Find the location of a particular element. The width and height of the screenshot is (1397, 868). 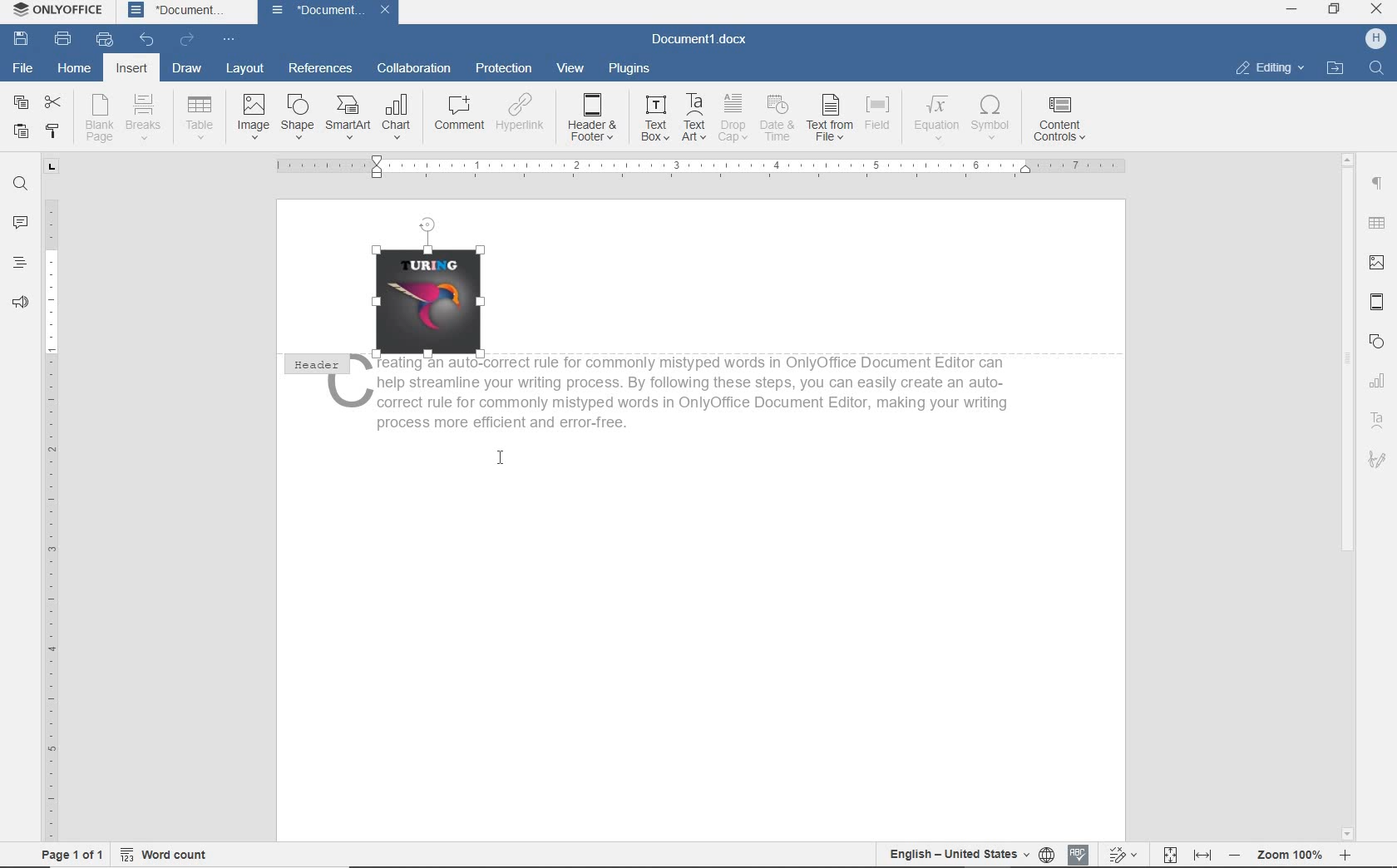

 is located at coordinates (778, 116).